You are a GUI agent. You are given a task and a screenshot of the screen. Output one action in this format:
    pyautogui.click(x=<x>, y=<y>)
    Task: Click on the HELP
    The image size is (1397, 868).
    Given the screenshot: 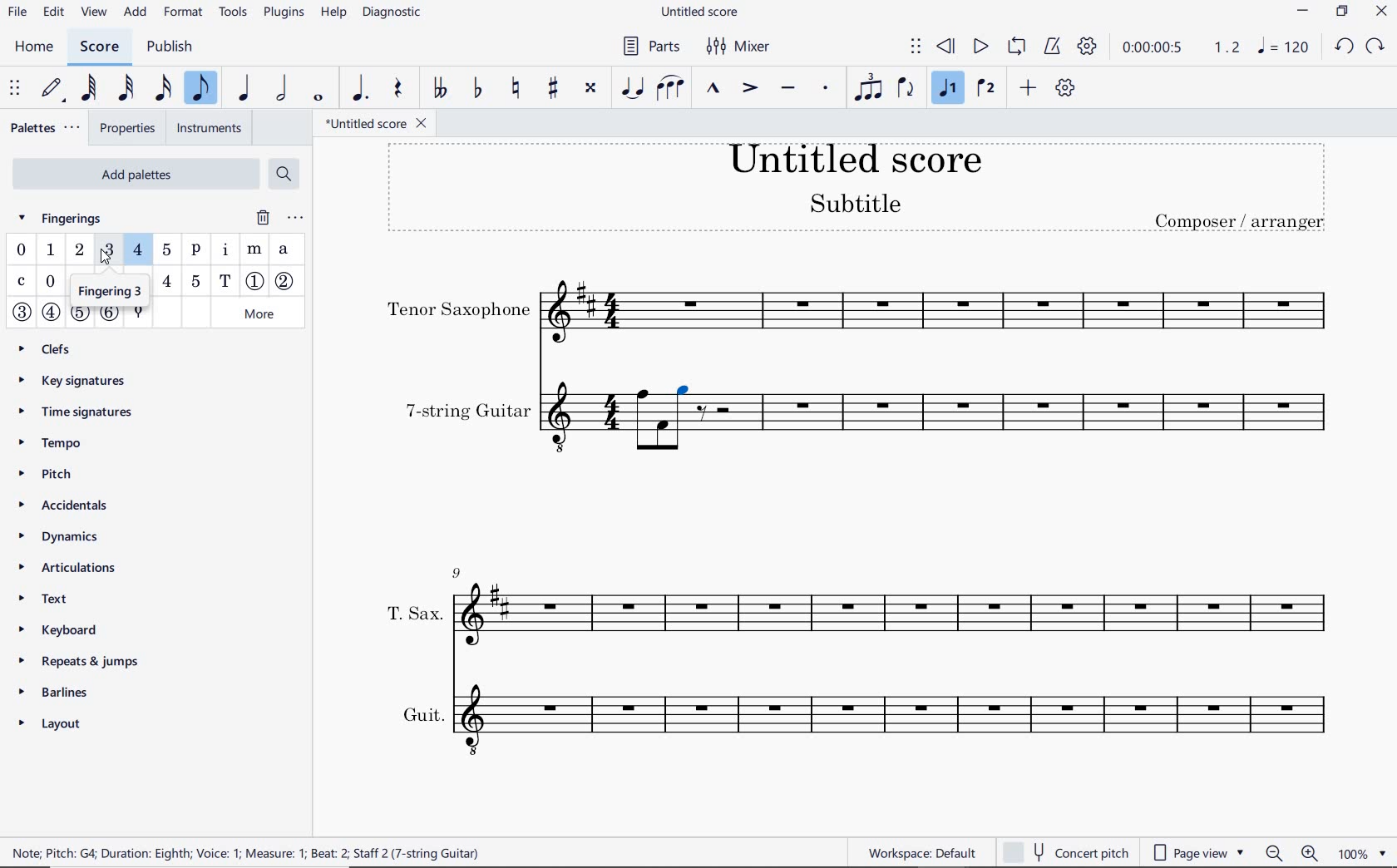 What is the action you would take?
    pyautogui.click(x=331, y=13)
    